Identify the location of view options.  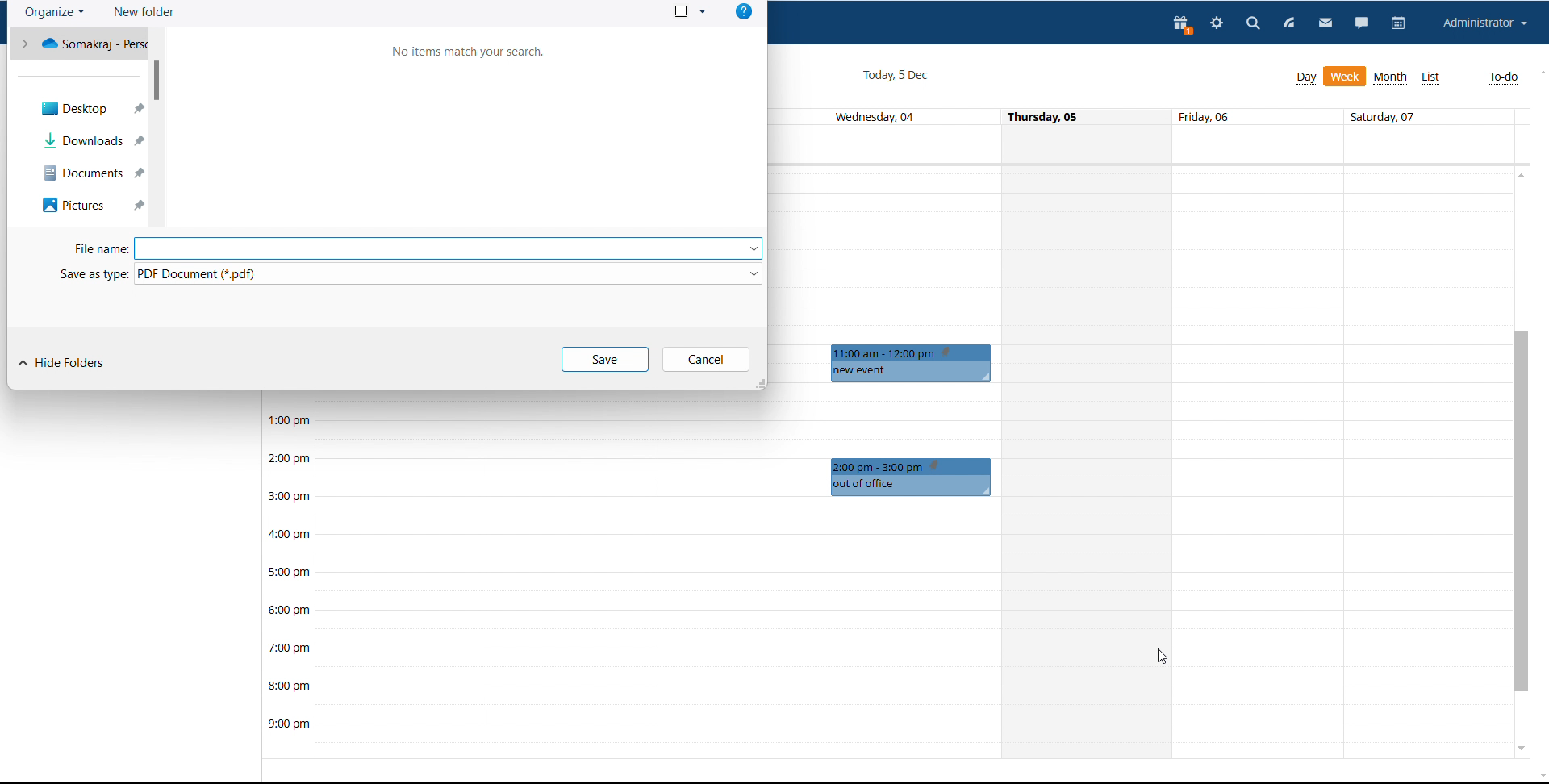
(689, 10).